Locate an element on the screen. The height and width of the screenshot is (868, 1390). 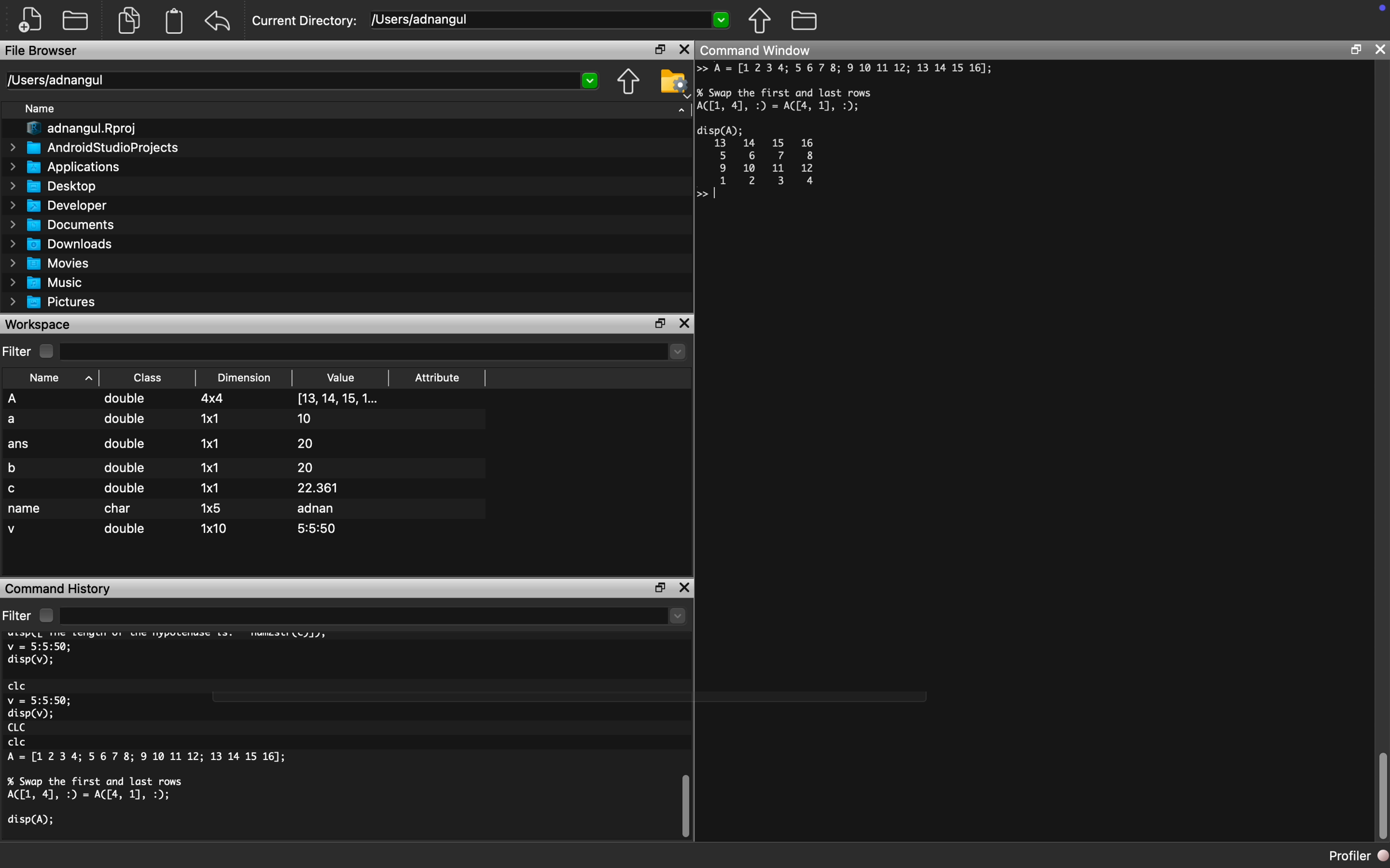
> [B Applications is located at coordinates (65, 167).